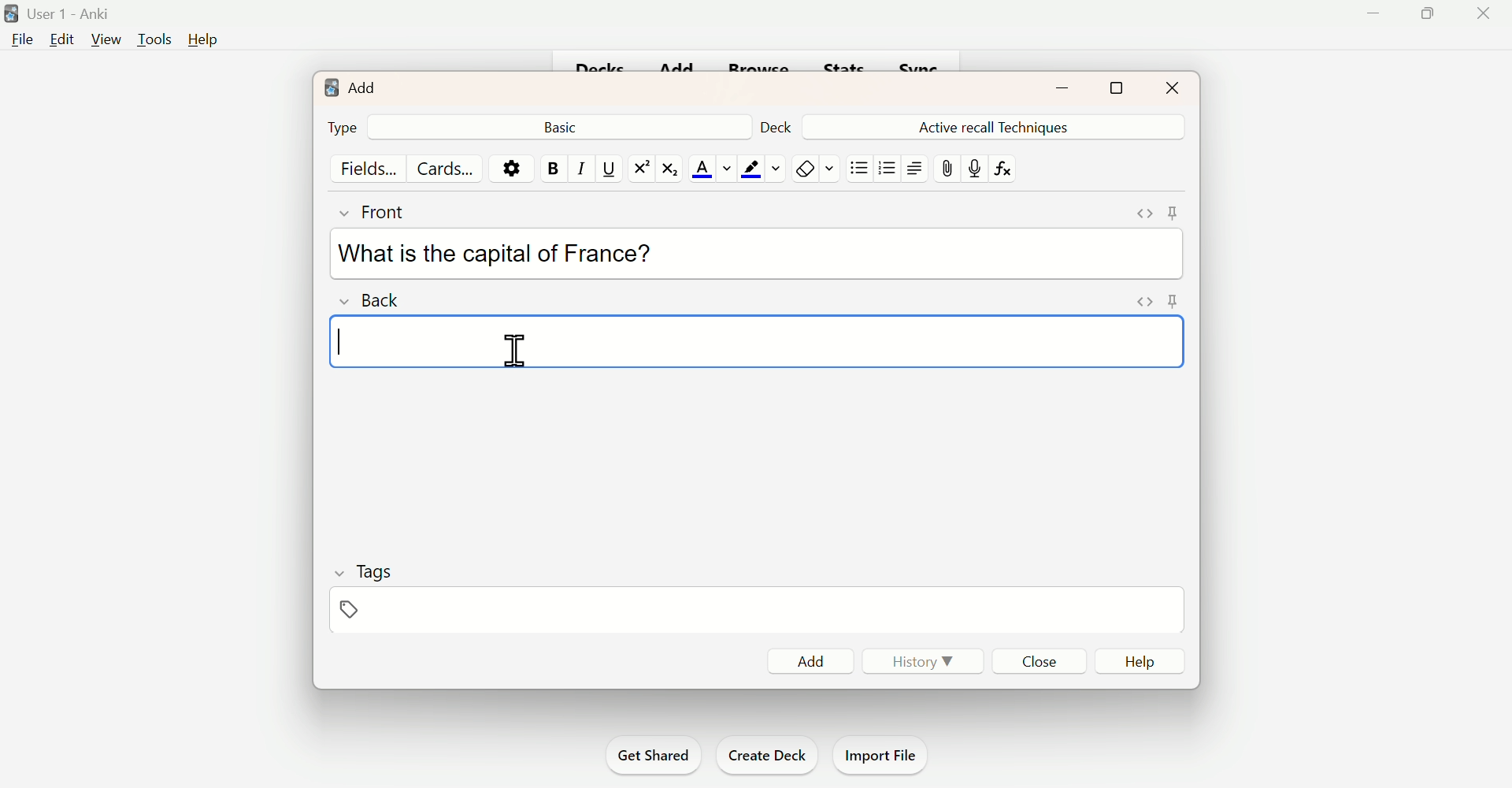 The width and height of the screenshot is (1512, 788). I want to click on File, so click(23, 42).